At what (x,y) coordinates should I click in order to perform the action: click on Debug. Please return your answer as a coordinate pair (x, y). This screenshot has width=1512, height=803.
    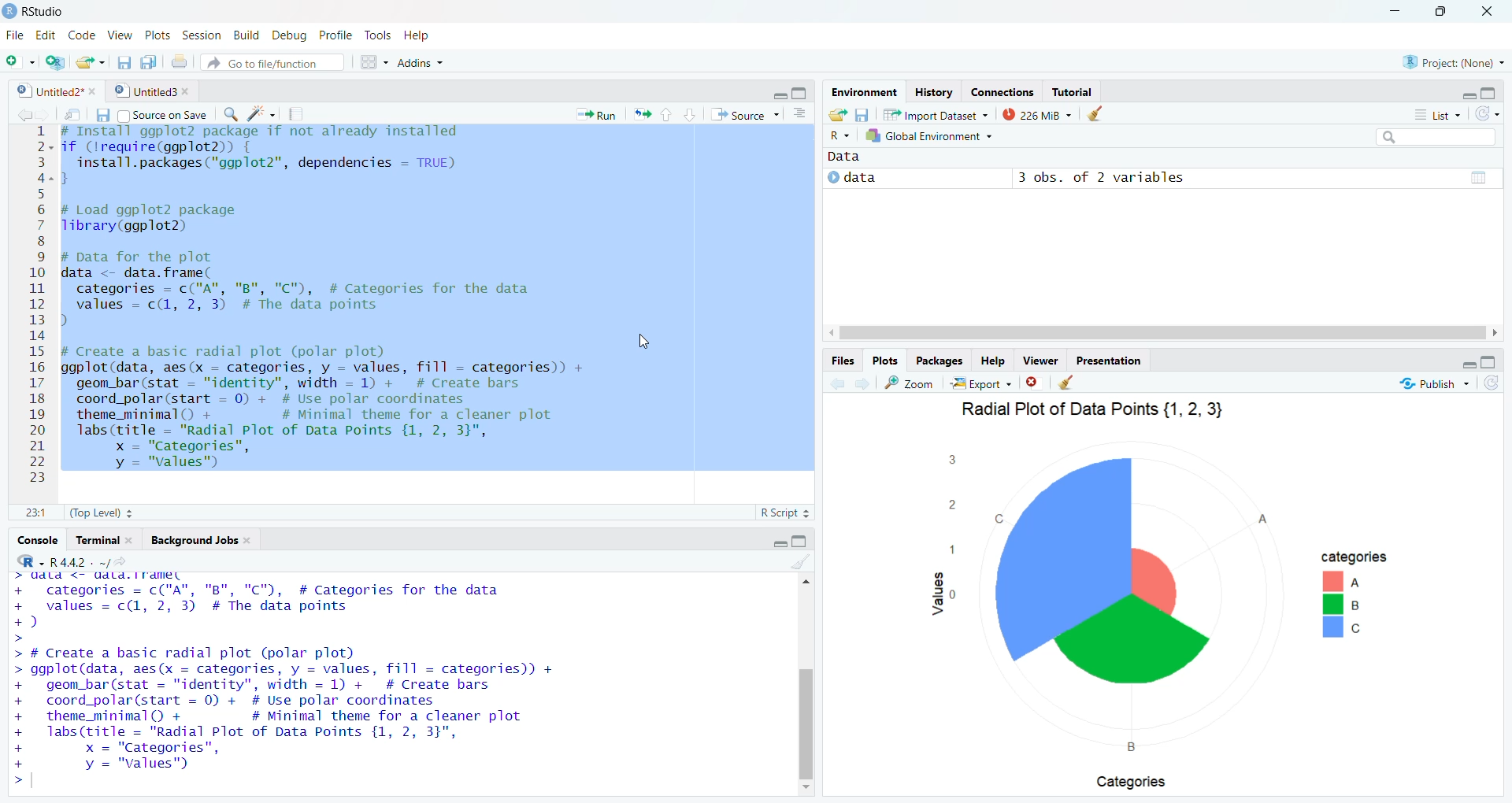
    Looking at the image, I should click on (288, 36).